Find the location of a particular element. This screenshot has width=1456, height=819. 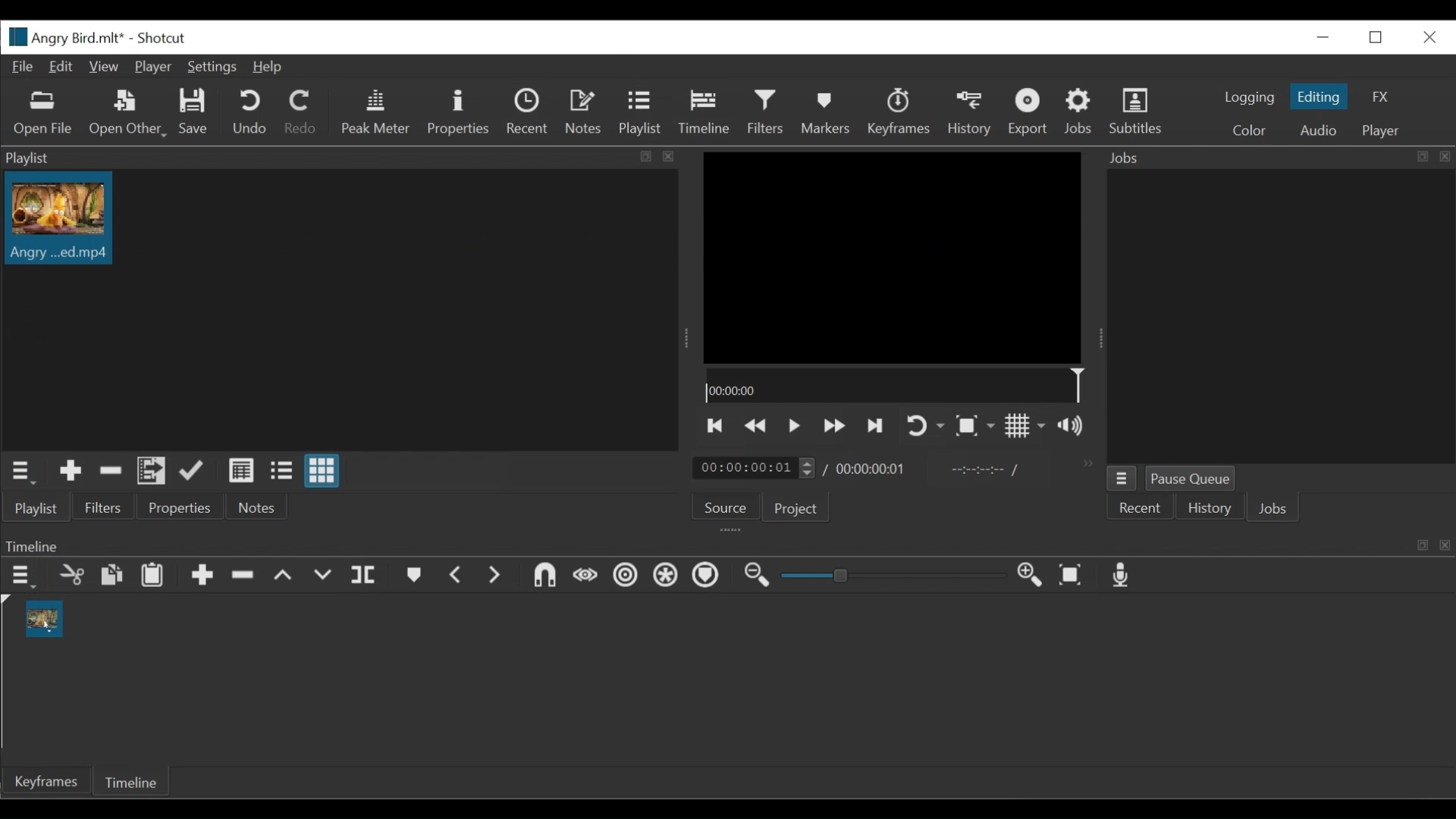

Zoom slider is located at coordinates (898, 575).